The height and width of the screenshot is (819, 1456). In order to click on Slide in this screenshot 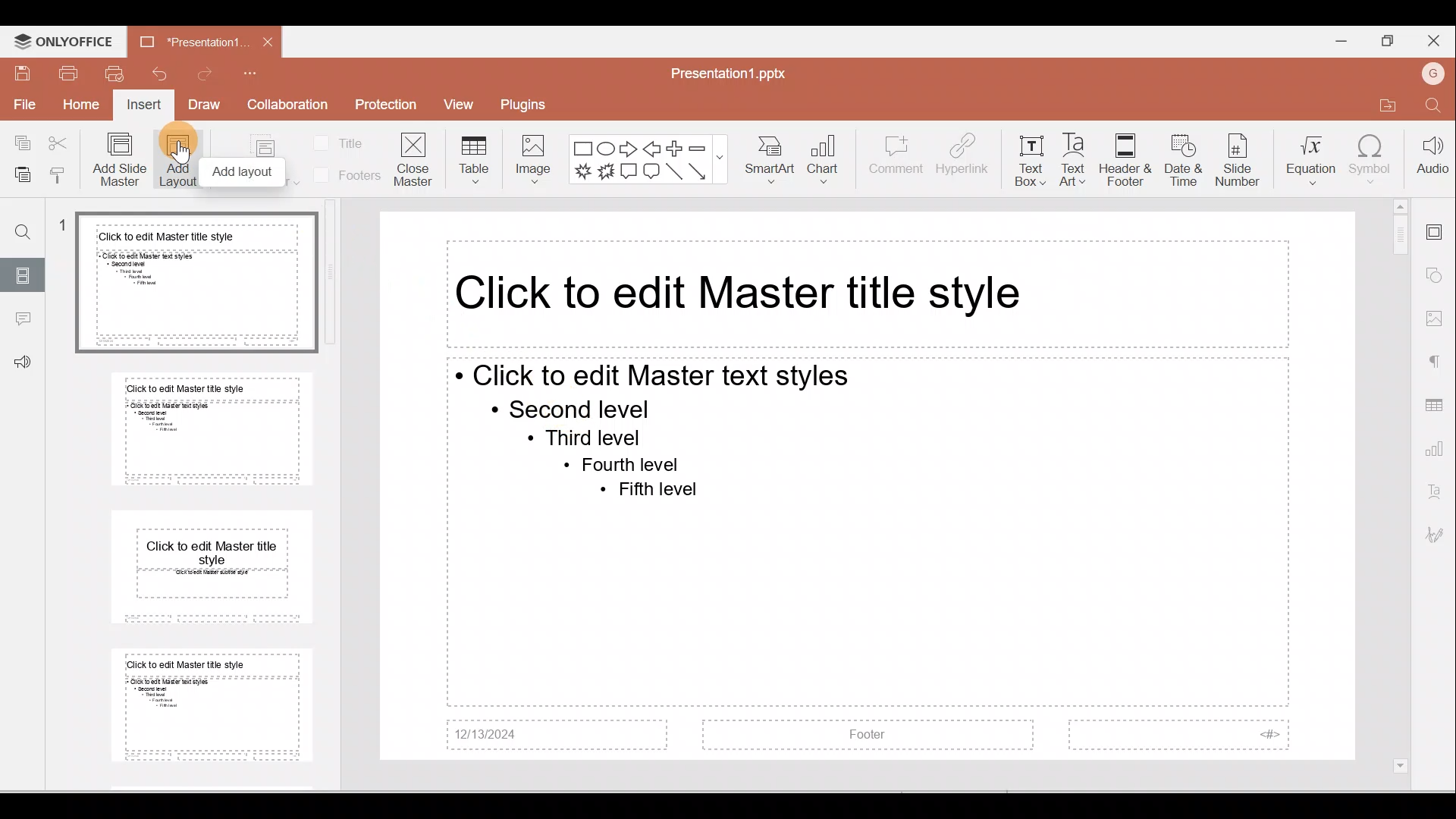, I will do `click(24, 274)`.